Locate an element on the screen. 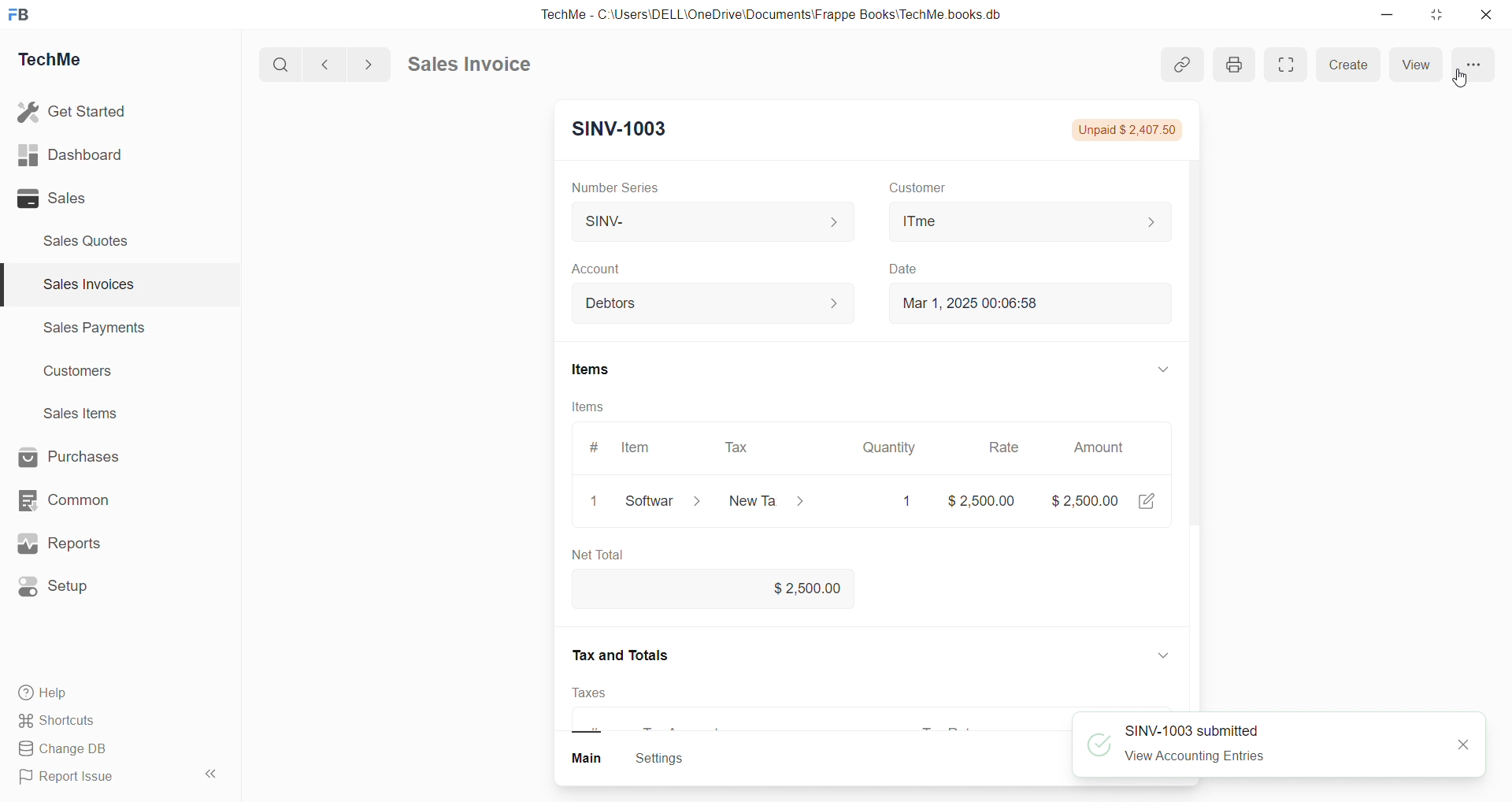  NewTa > is located at coordinates (767, 502).